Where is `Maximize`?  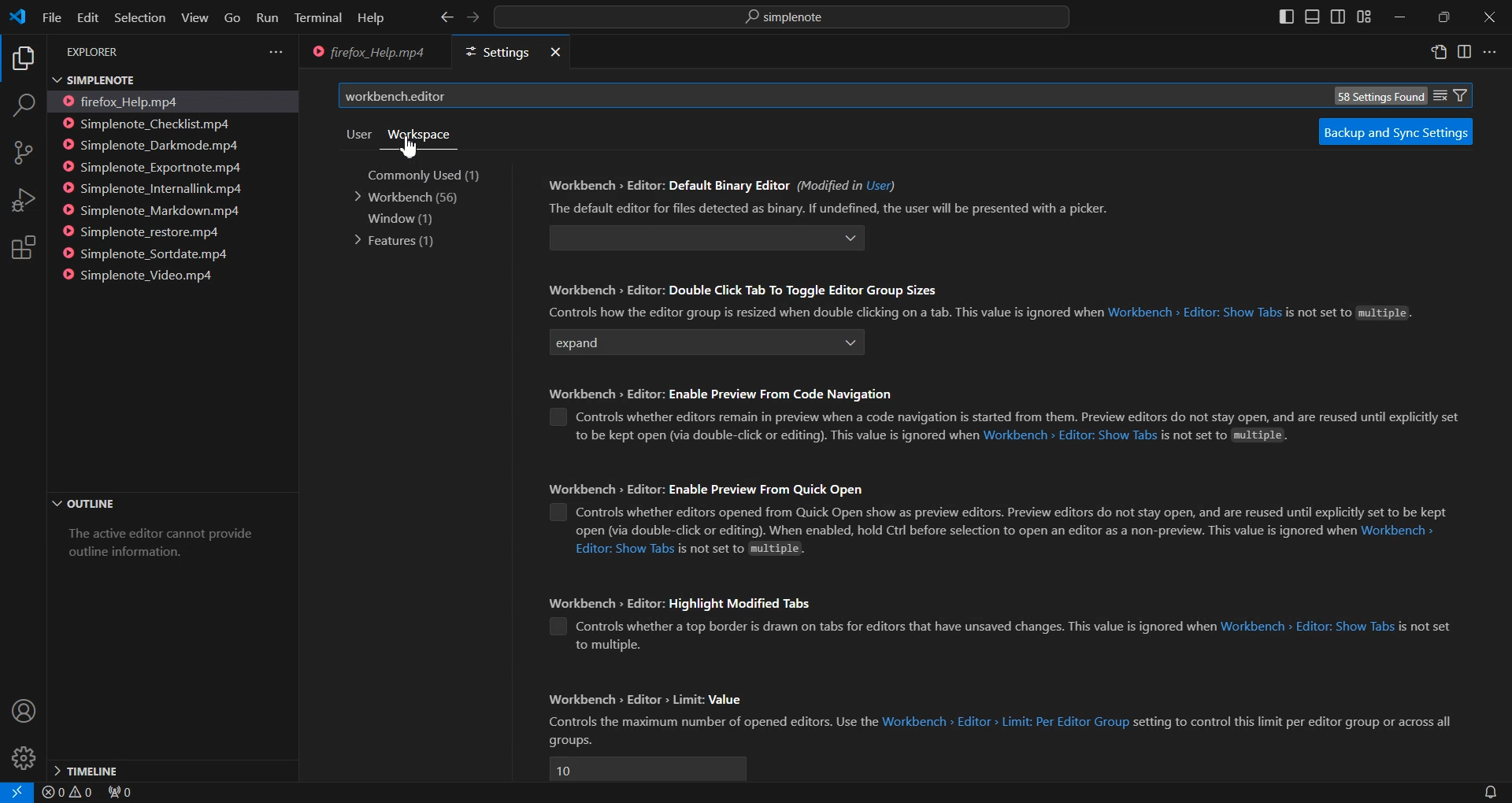
Maximize is located at coordinates (1444, 17).